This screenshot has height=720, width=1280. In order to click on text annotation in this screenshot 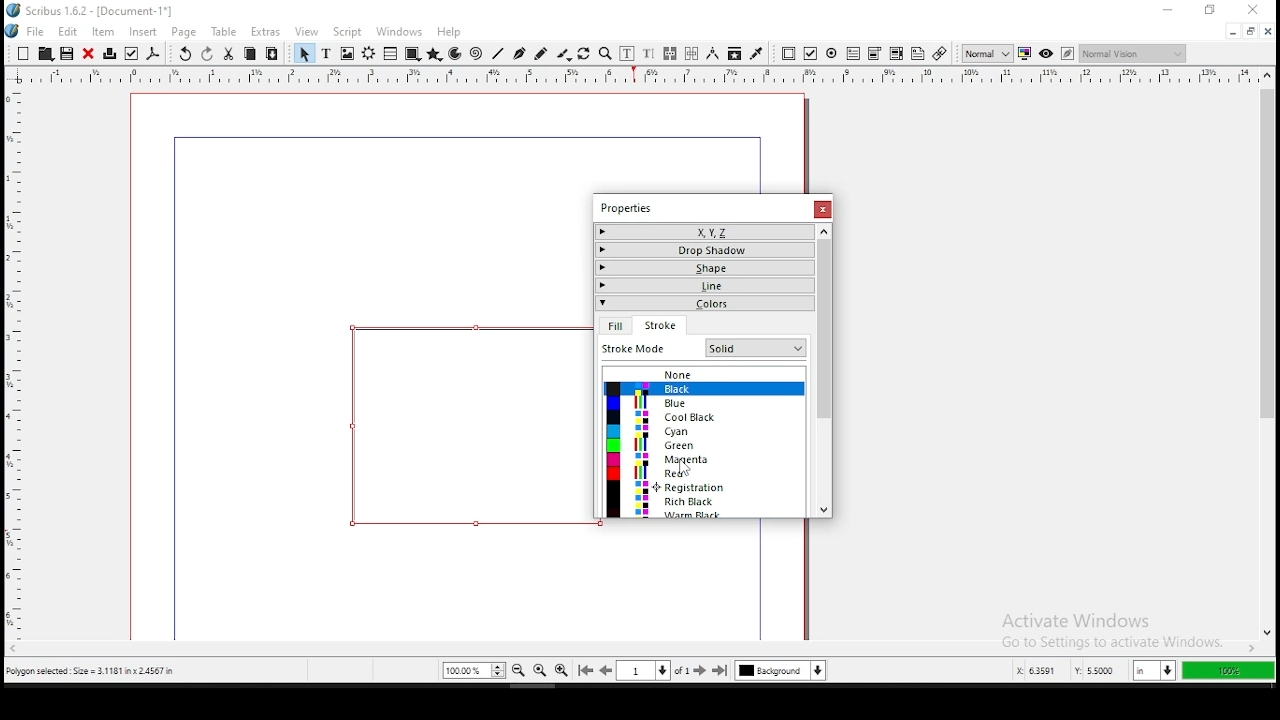, I will do `click(918, 53)`.